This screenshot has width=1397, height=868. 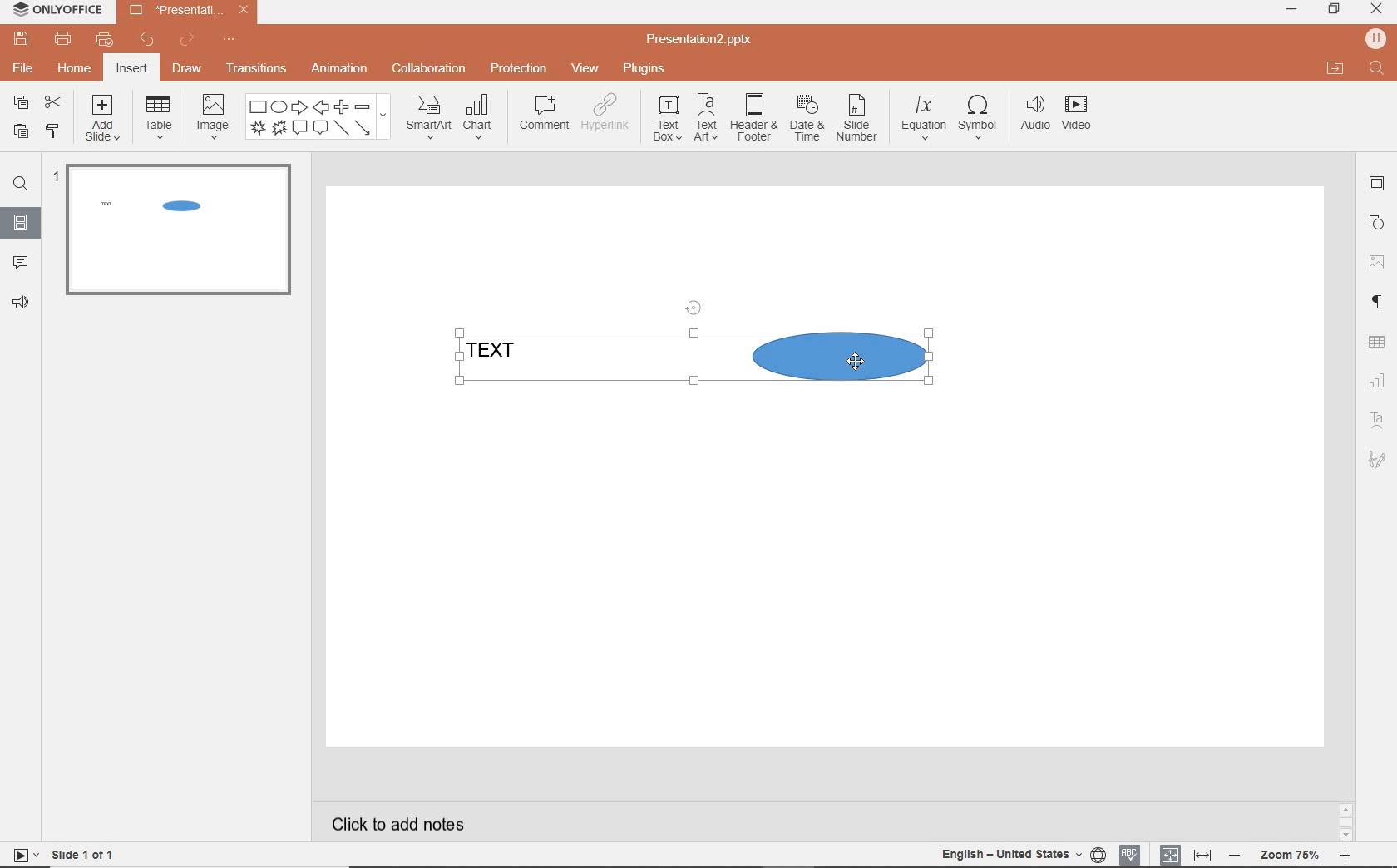 I want to click on Signature, so click(x=1376, y=460).